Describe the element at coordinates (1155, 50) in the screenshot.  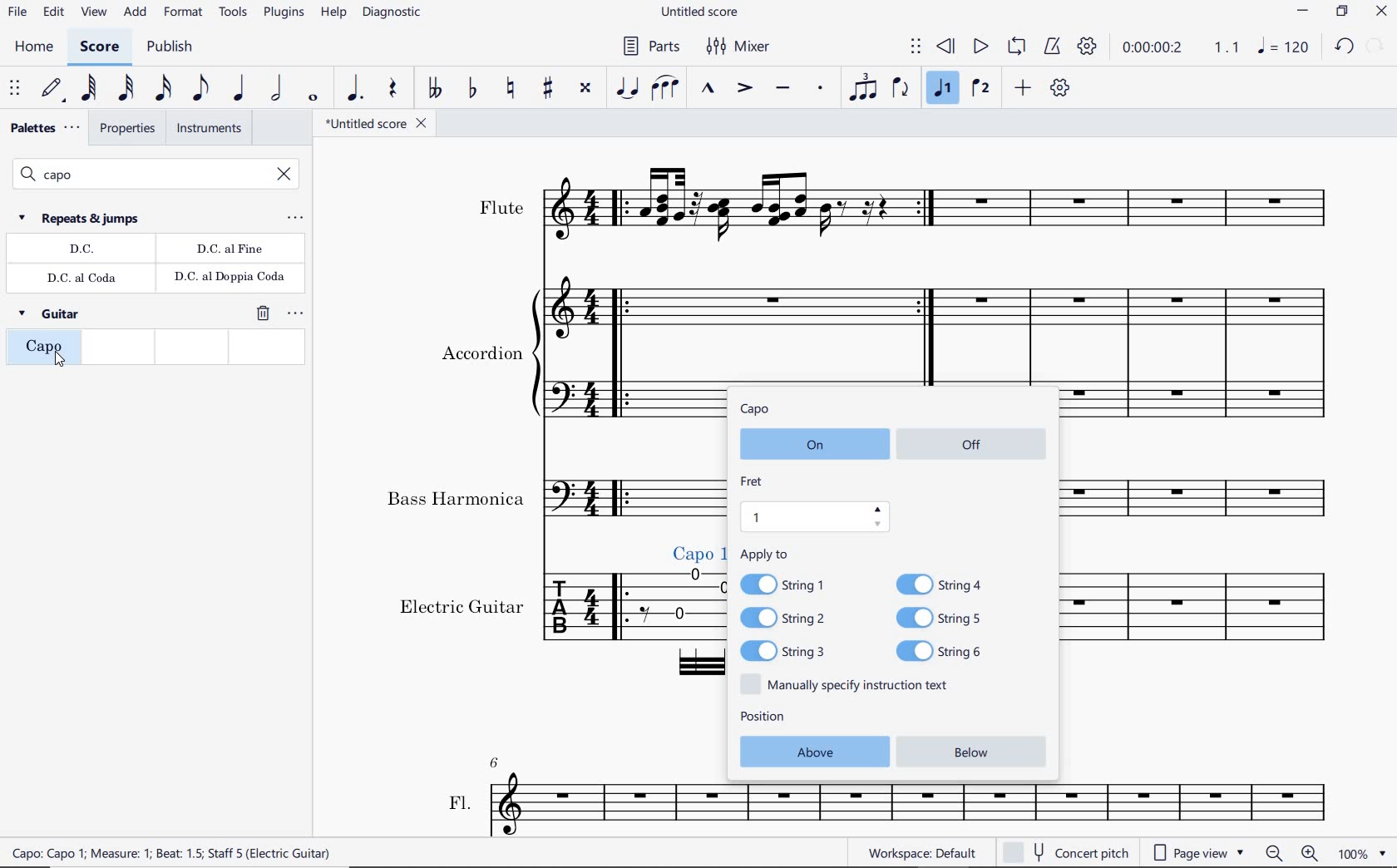
I see `playback time` at that location.